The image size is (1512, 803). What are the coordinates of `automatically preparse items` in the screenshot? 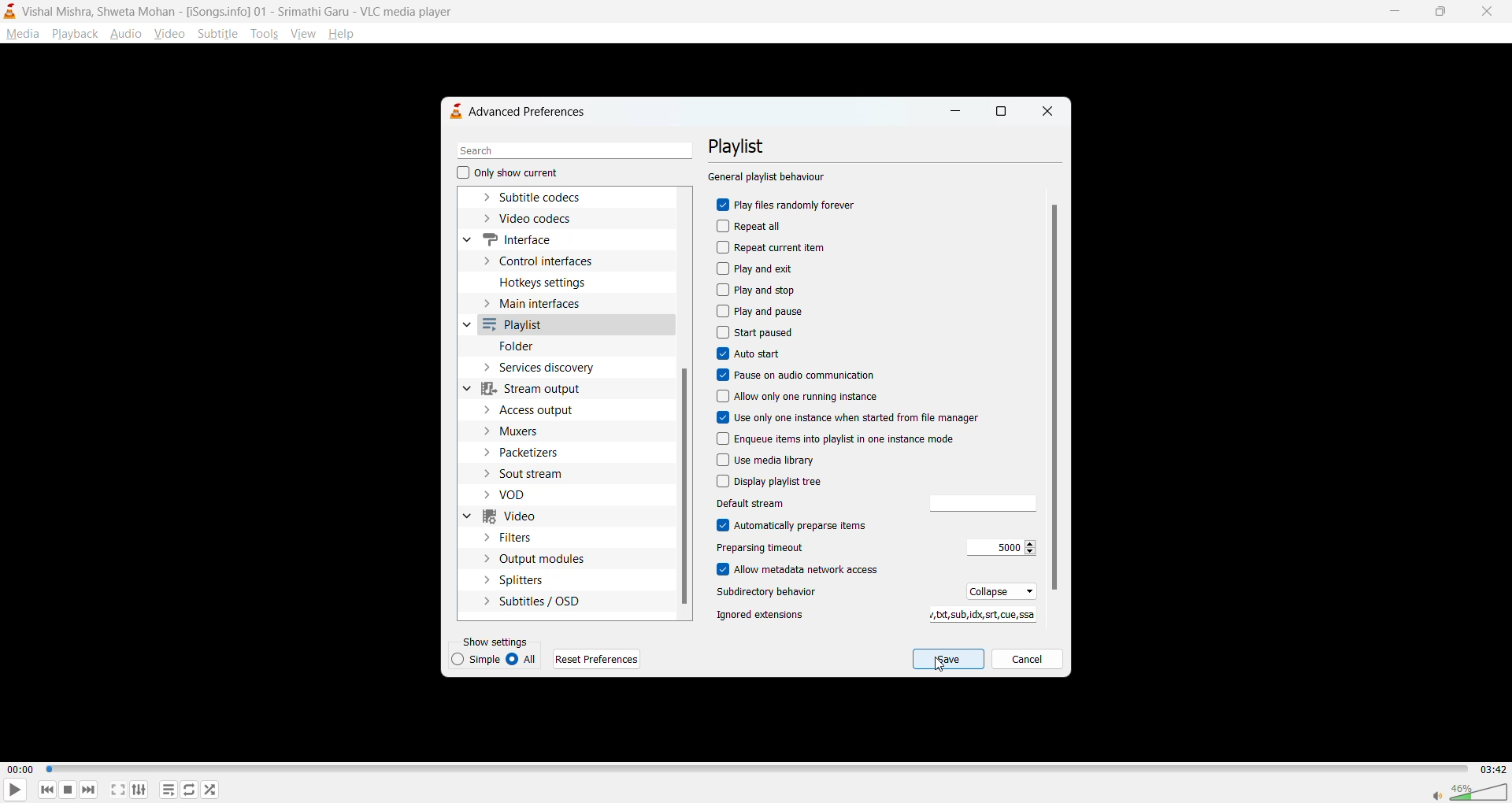 It's located at (795, 525).